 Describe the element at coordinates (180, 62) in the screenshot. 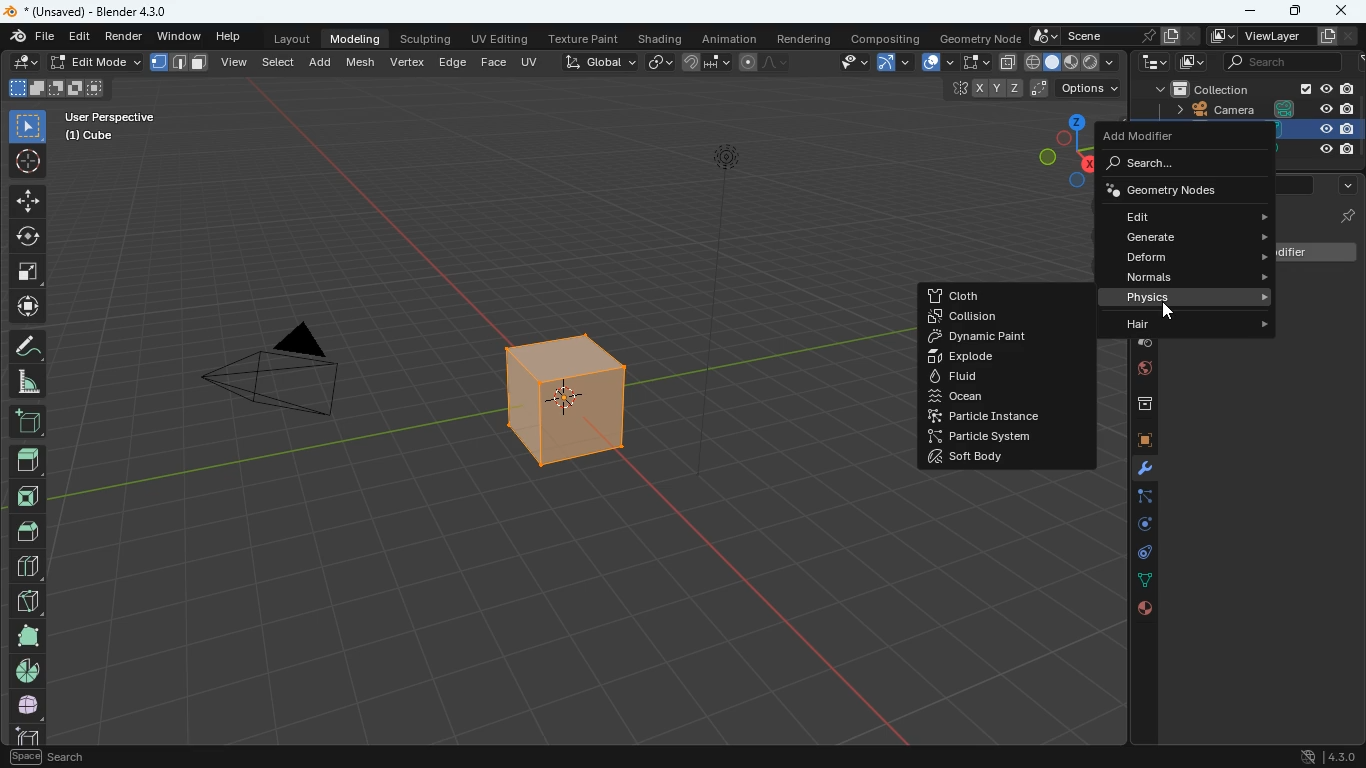

I see `shape` at that location.